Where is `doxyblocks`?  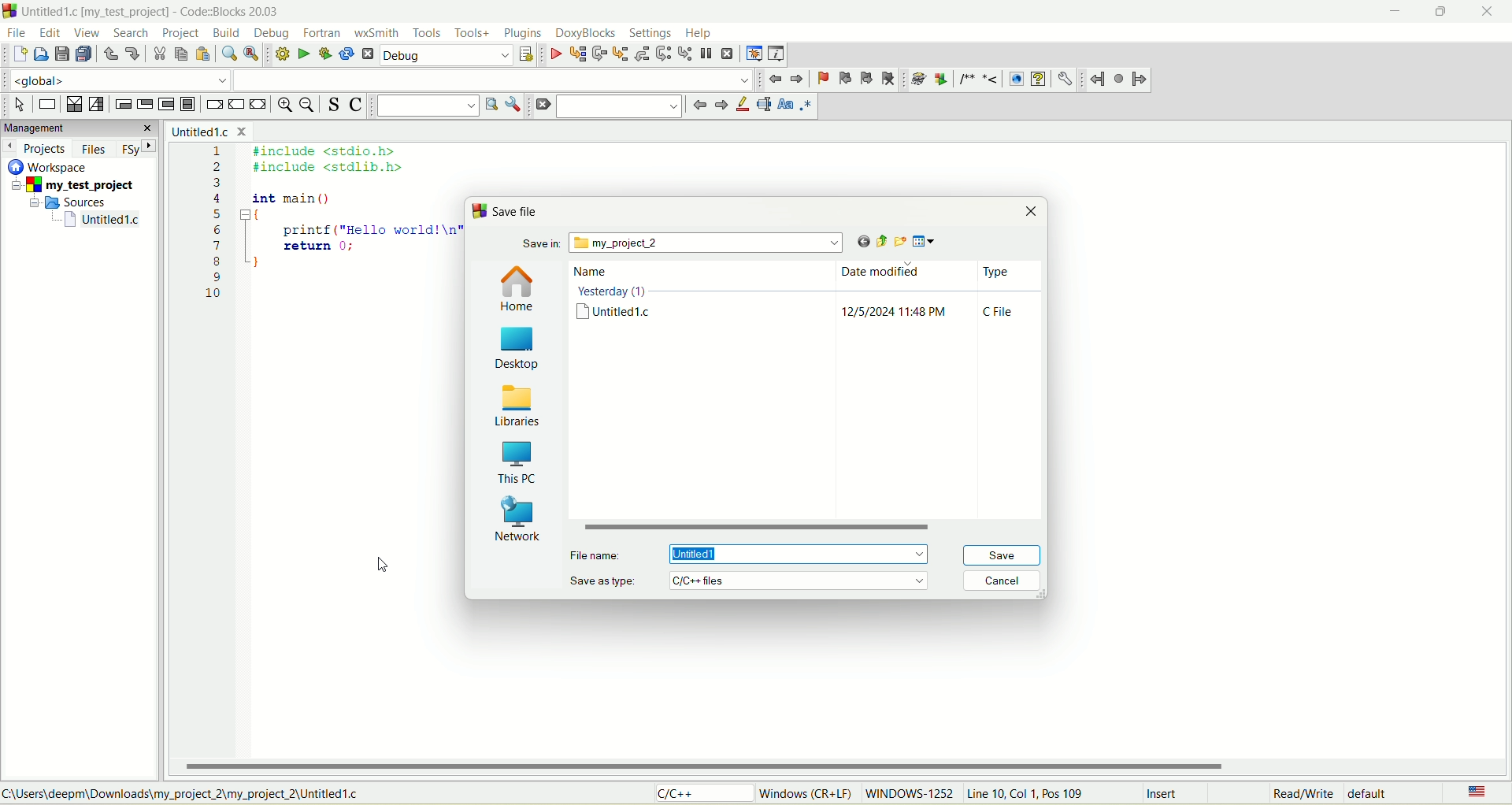 doxyblocks is located at coordinates (586, 34).